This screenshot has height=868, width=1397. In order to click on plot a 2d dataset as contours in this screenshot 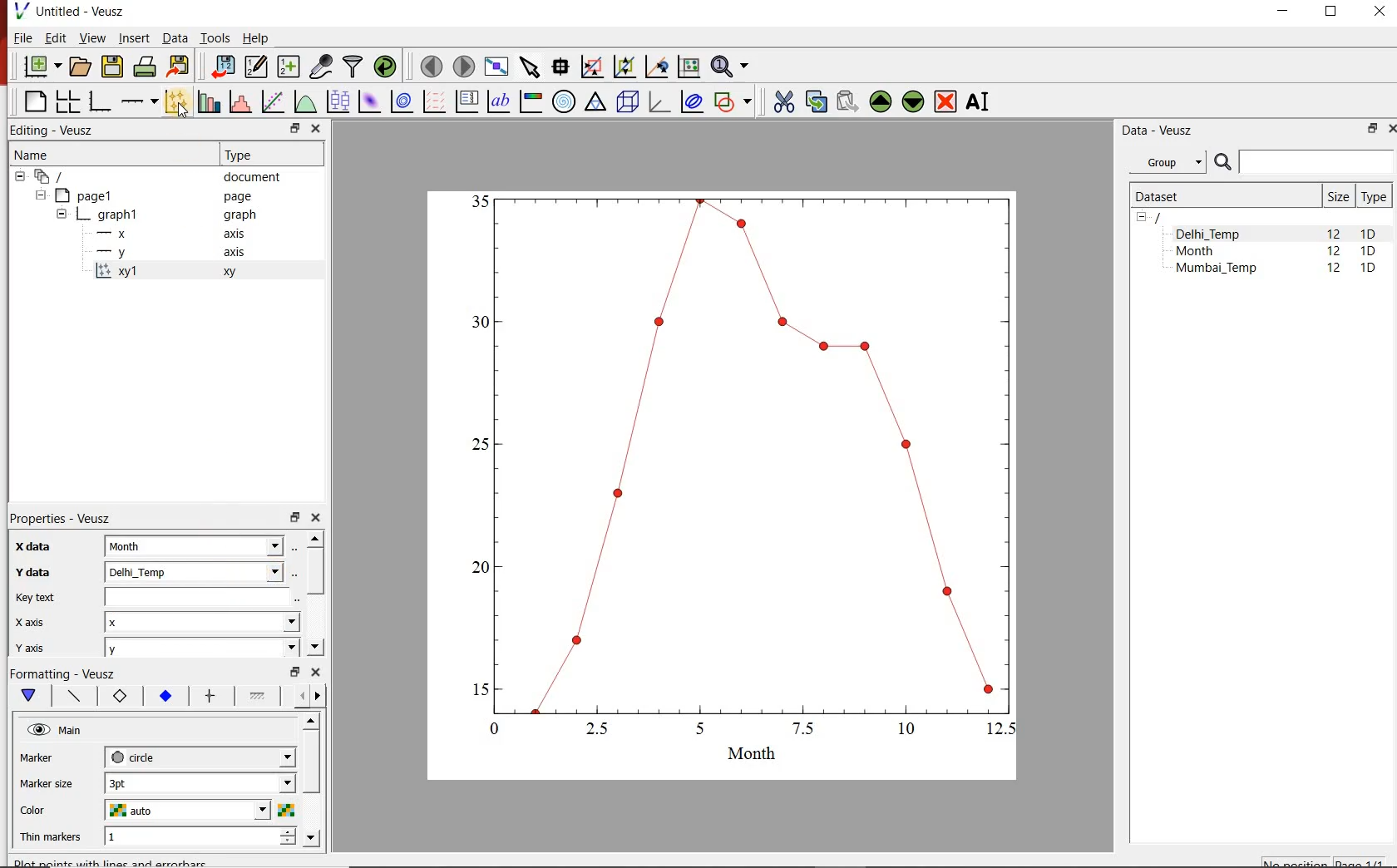, I will do `click(402, 102)`.